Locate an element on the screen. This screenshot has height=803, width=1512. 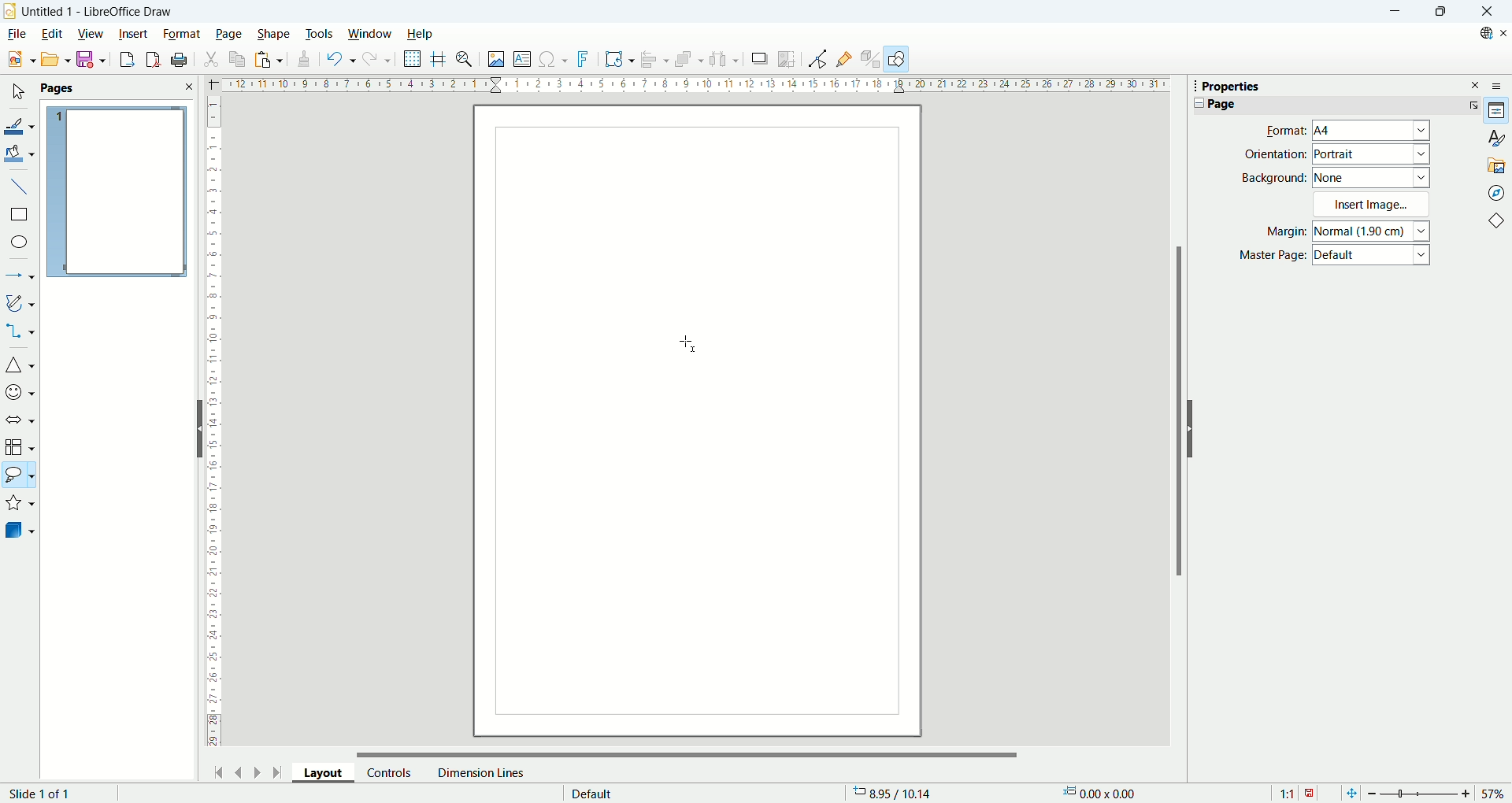
fontwork text is located at coordinates (585, 60).